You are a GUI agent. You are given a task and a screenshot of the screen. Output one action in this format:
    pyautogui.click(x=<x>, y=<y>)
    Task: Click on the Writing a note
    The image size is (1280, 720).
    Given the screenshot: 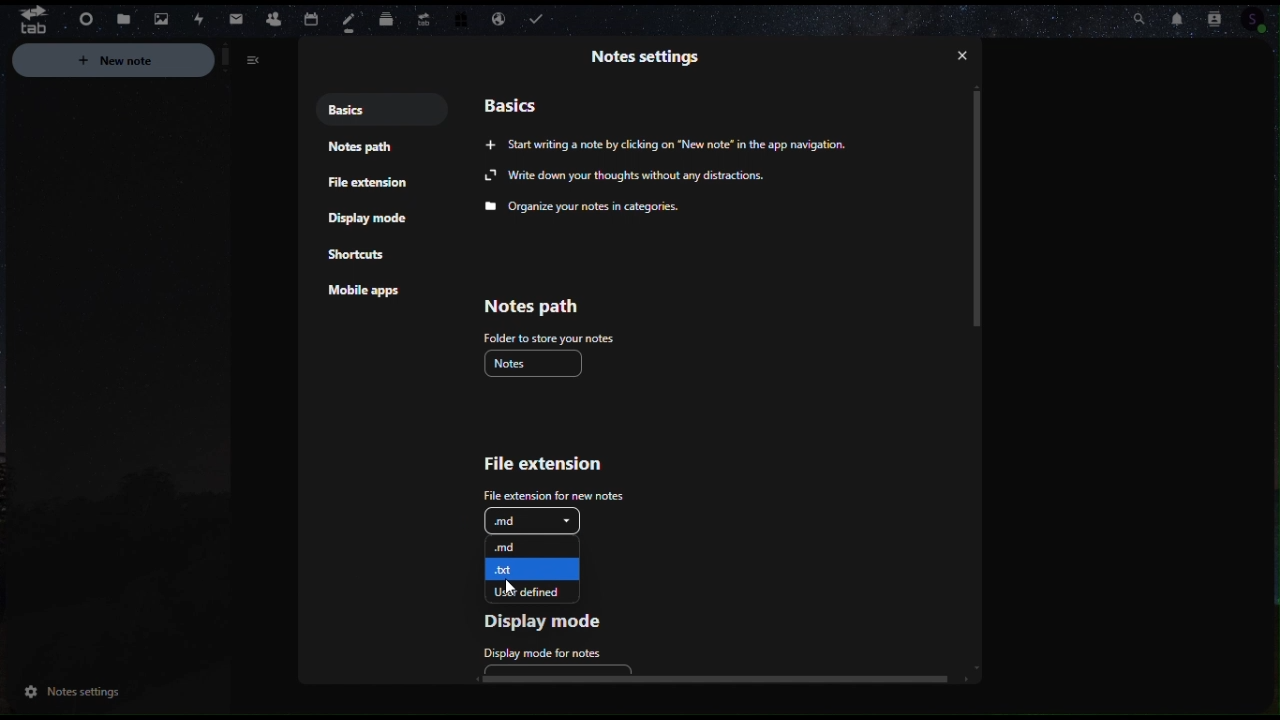 What is the action you would take?
    pyautogui.click(x=687, y=146)
    